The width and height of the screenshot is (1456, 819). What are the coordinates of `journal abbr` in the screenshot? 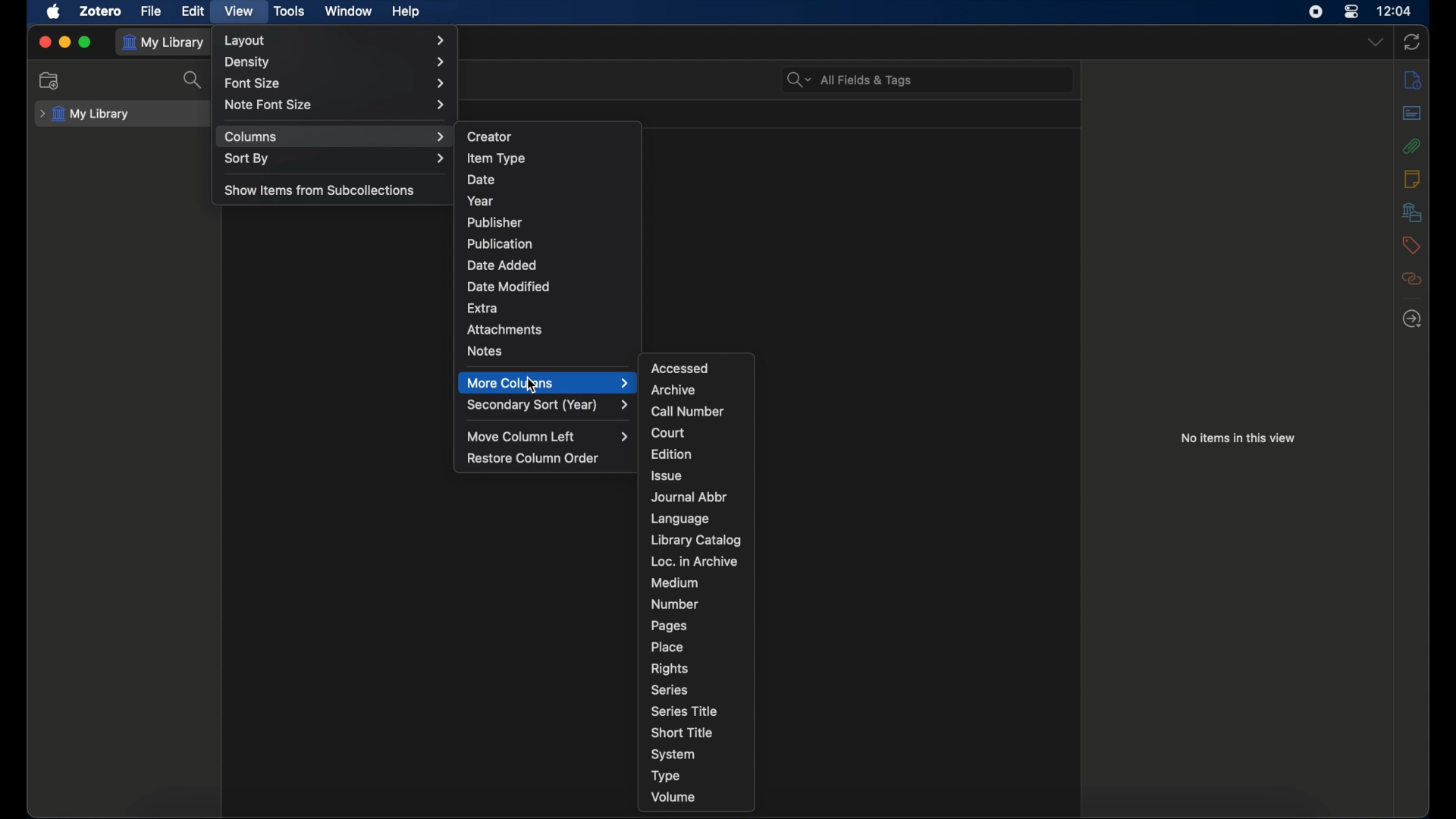 It's located at (690, 497).